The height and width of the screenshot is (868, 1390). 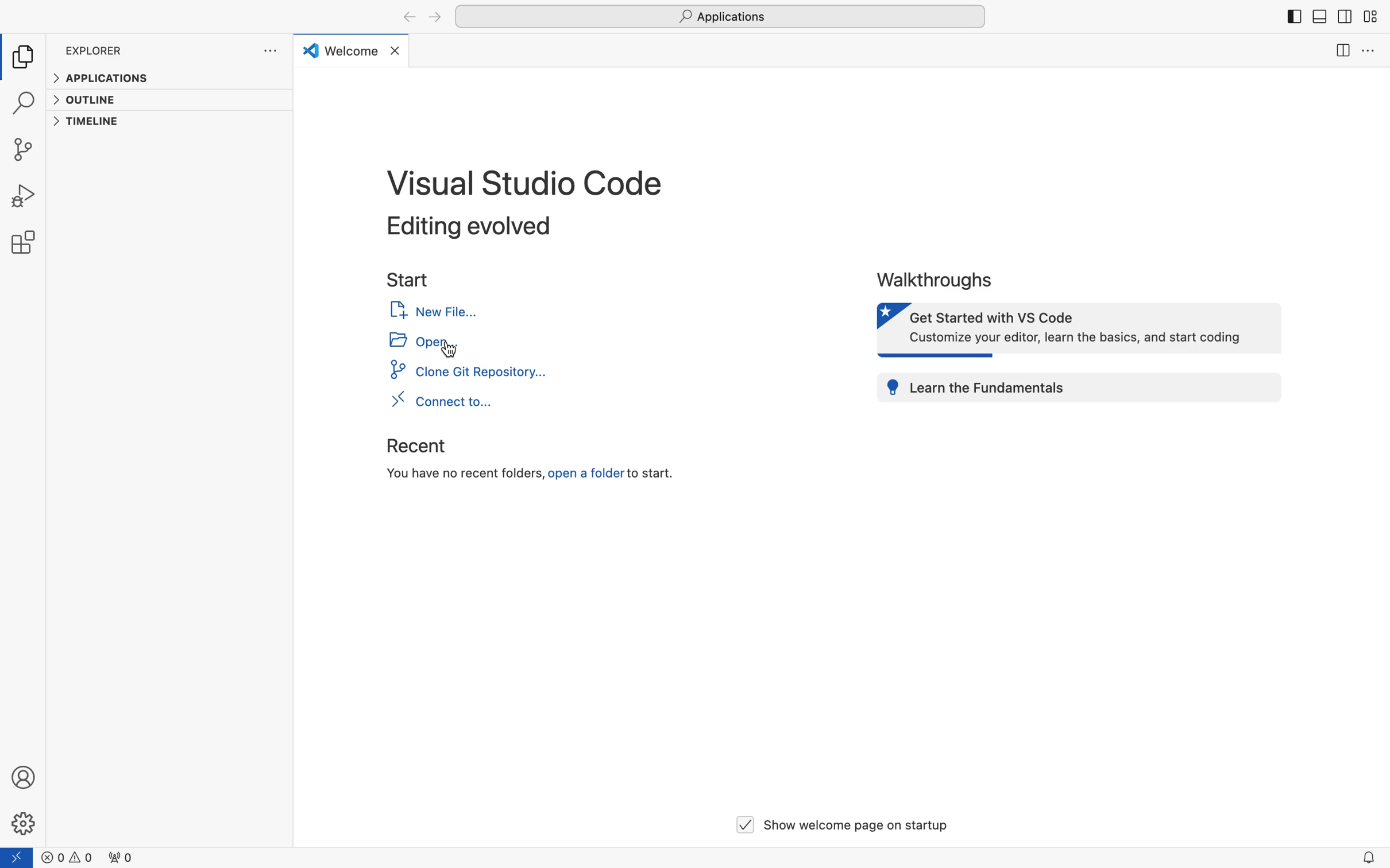 What do you see at coordinates (26, 197) in the screenshot?
I see `run and debug` at bounding box center [26, 197].